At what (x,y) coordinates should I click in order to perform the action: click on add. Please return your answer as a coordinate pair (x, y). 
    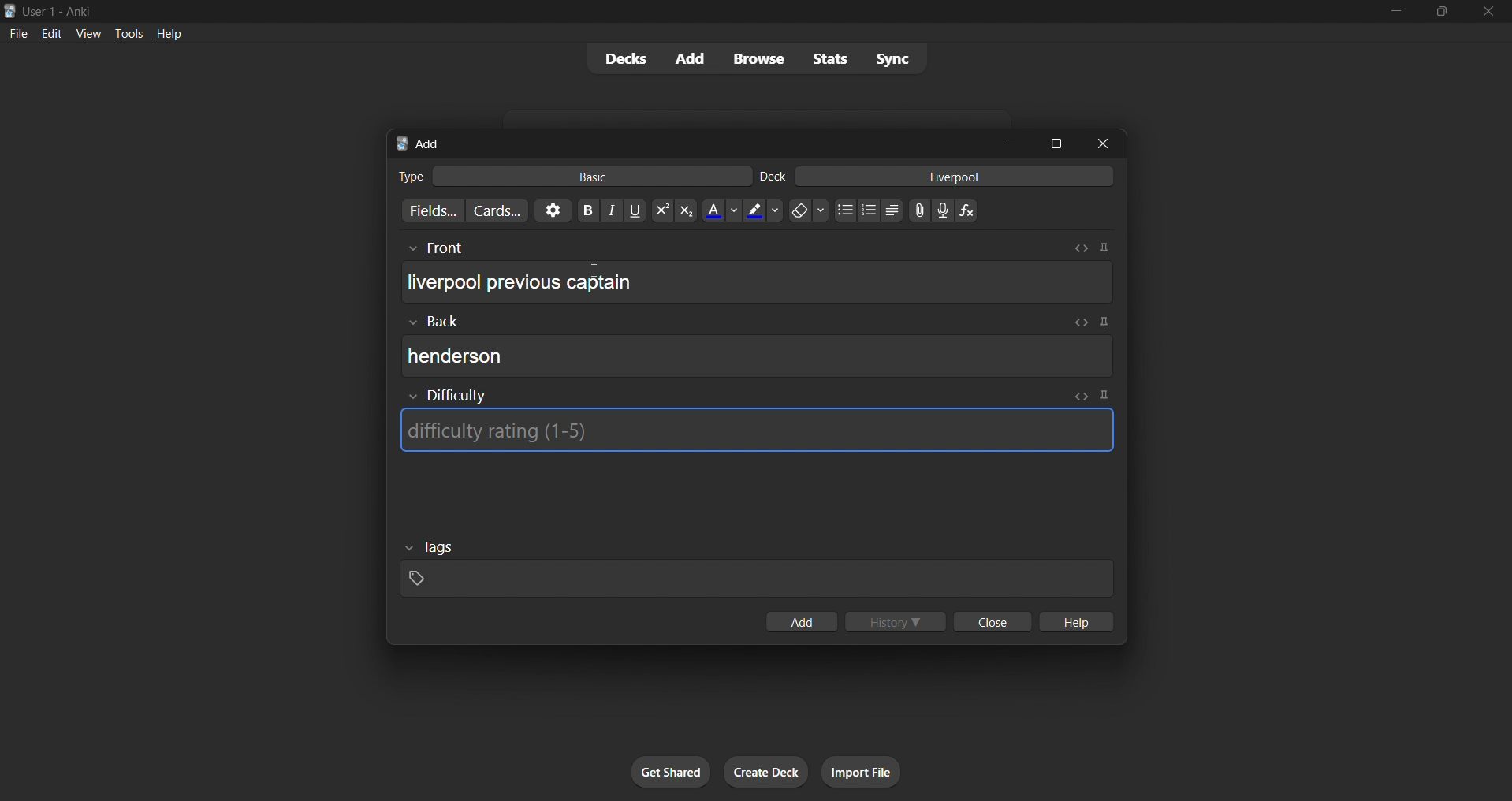
    Looking at the image, I should click on (799, 623).